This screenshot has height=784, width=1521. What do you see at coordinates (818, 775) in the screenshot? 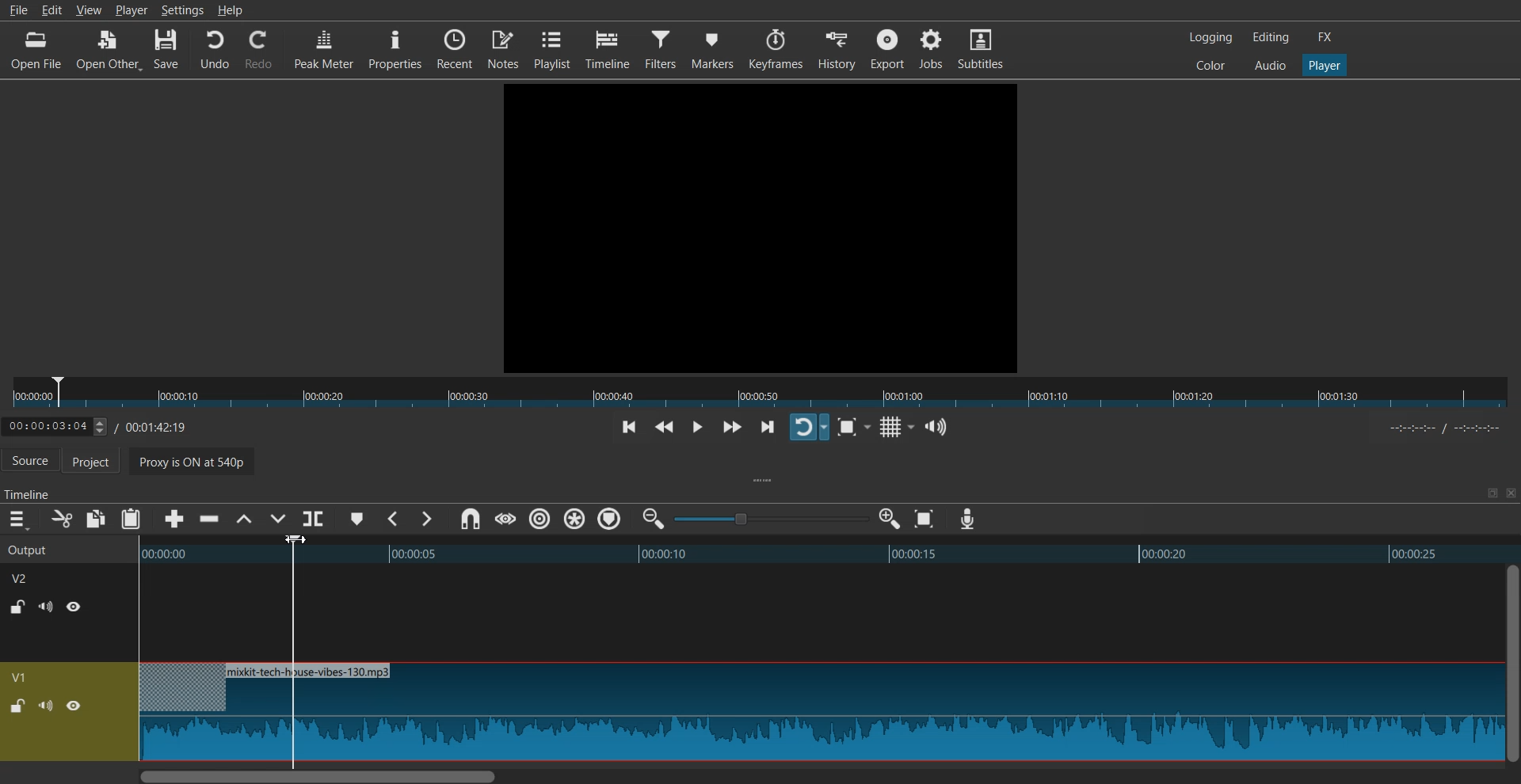
I see `Horizontal Scroll bar` at bounding box center [818, 775].